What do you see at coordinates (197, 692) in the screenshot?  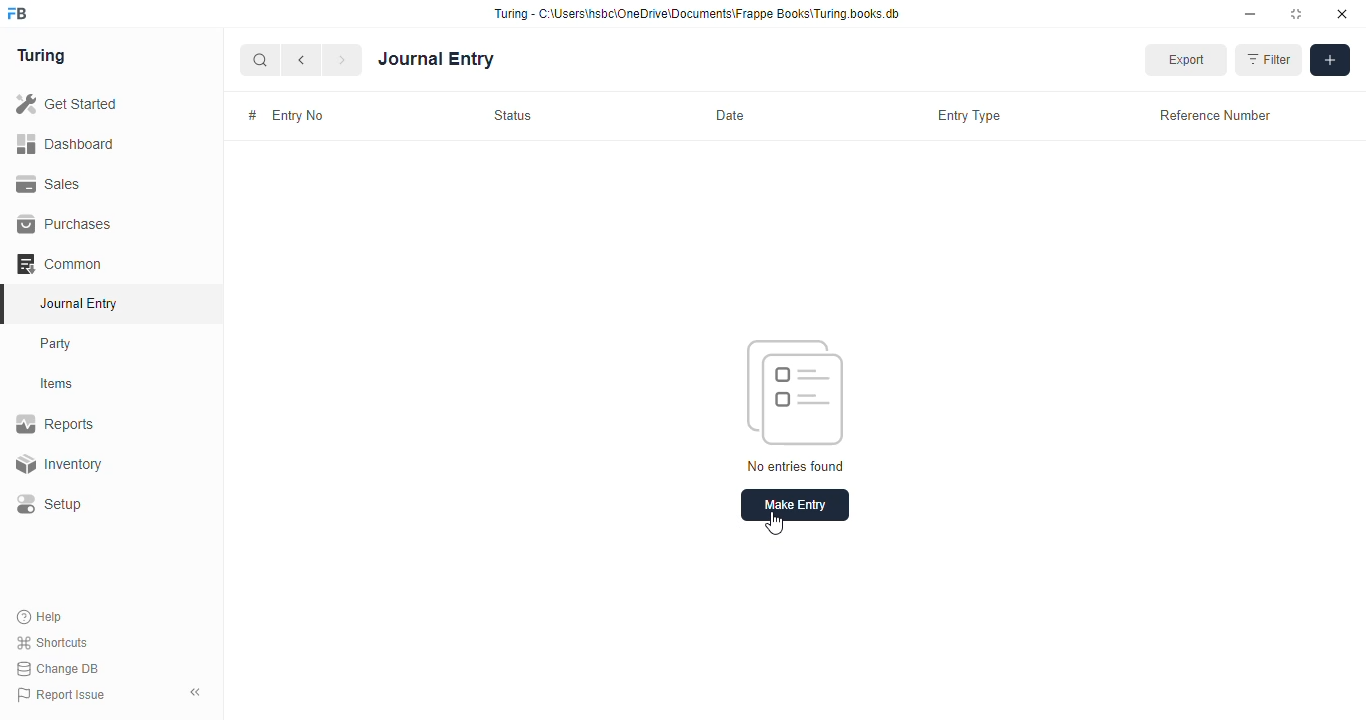 I see `toggle sidebar` at bounding box center [197, 692].